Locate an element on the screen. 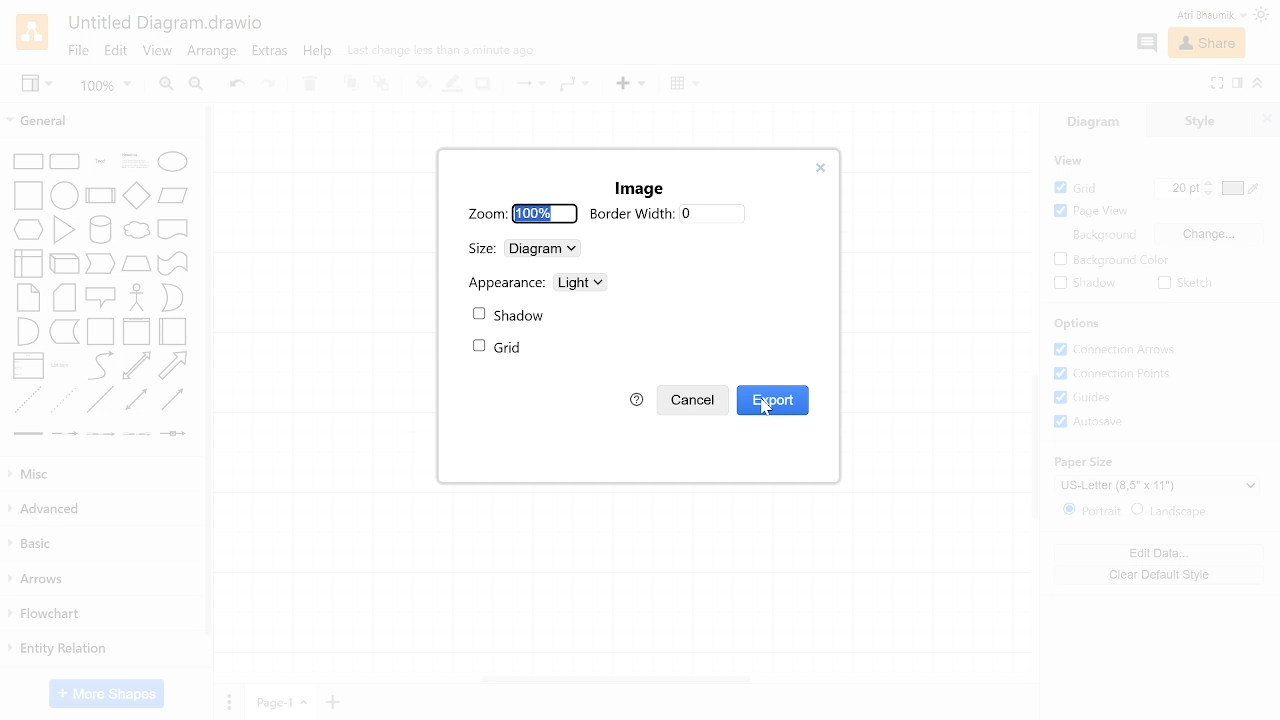 The width and height of the screenshot is (1280, 720). Misc is located at coordinates (30, 476).